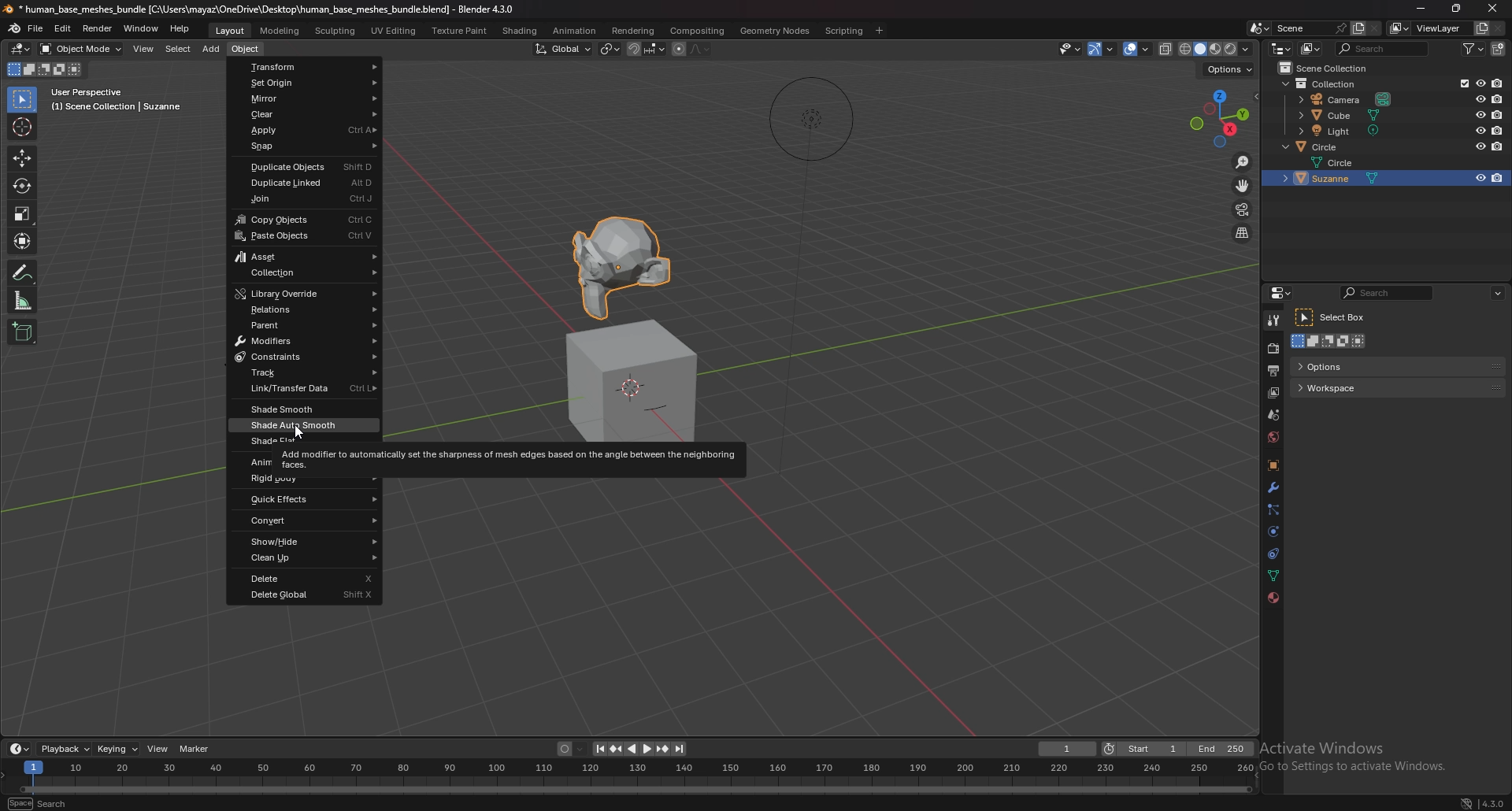  I want to click on display mode, so click(1310, 49).